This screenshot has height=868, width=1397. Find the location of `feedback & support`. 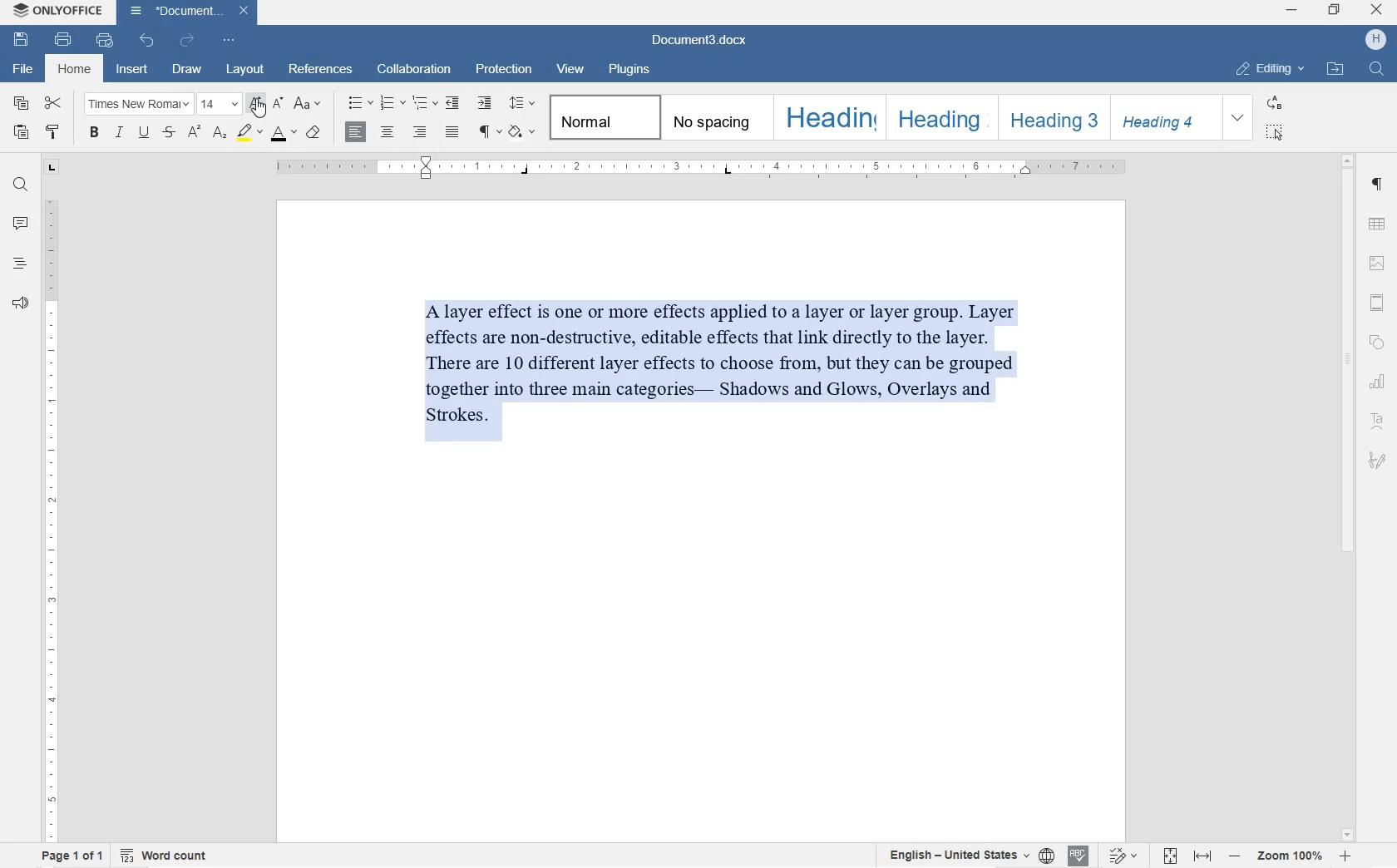

feedback & support is located at coordinates (22, 303).